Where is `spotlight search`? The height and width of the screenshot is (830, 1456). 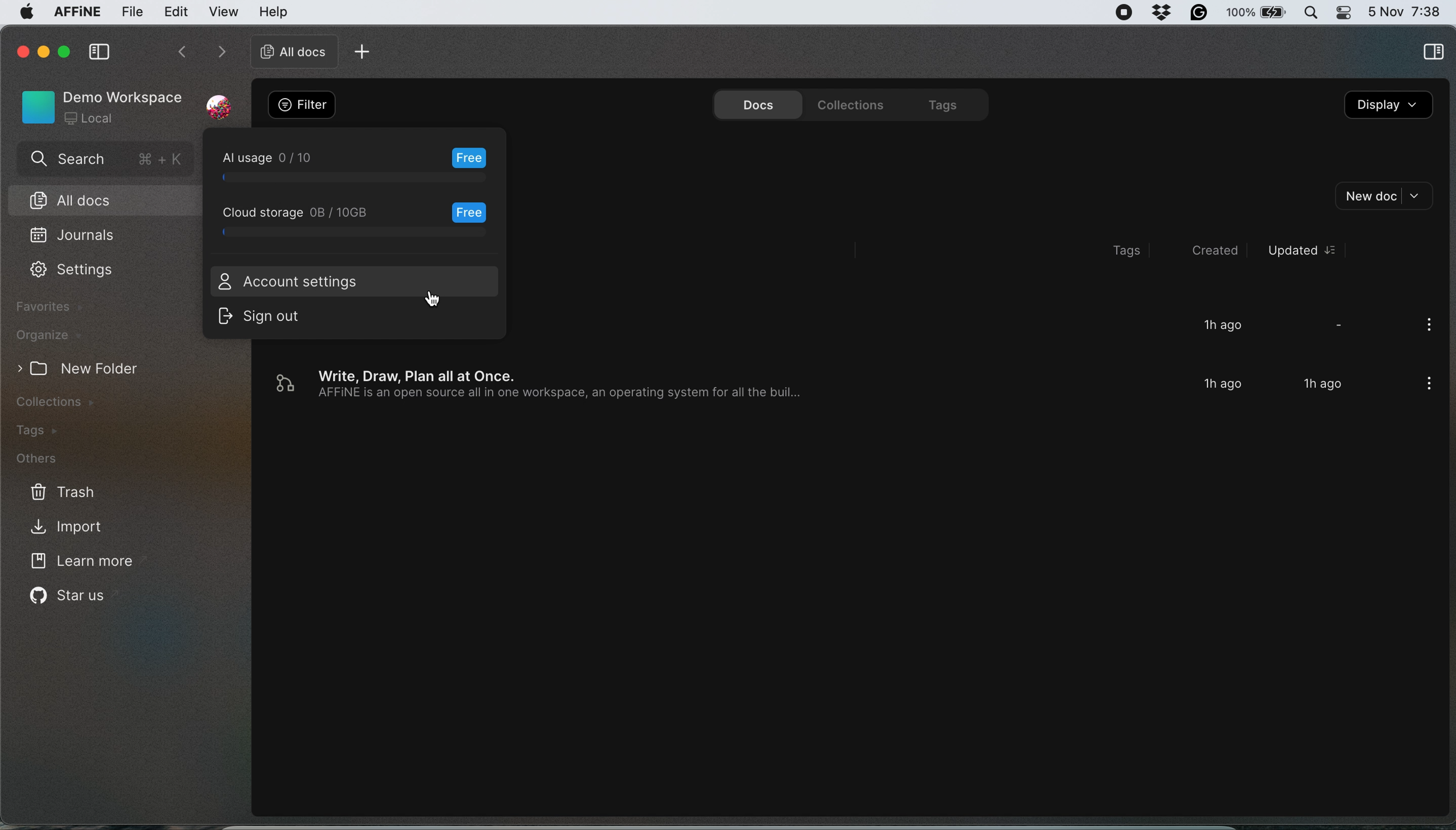 spotlight search is located at coordinates (1312, 12).